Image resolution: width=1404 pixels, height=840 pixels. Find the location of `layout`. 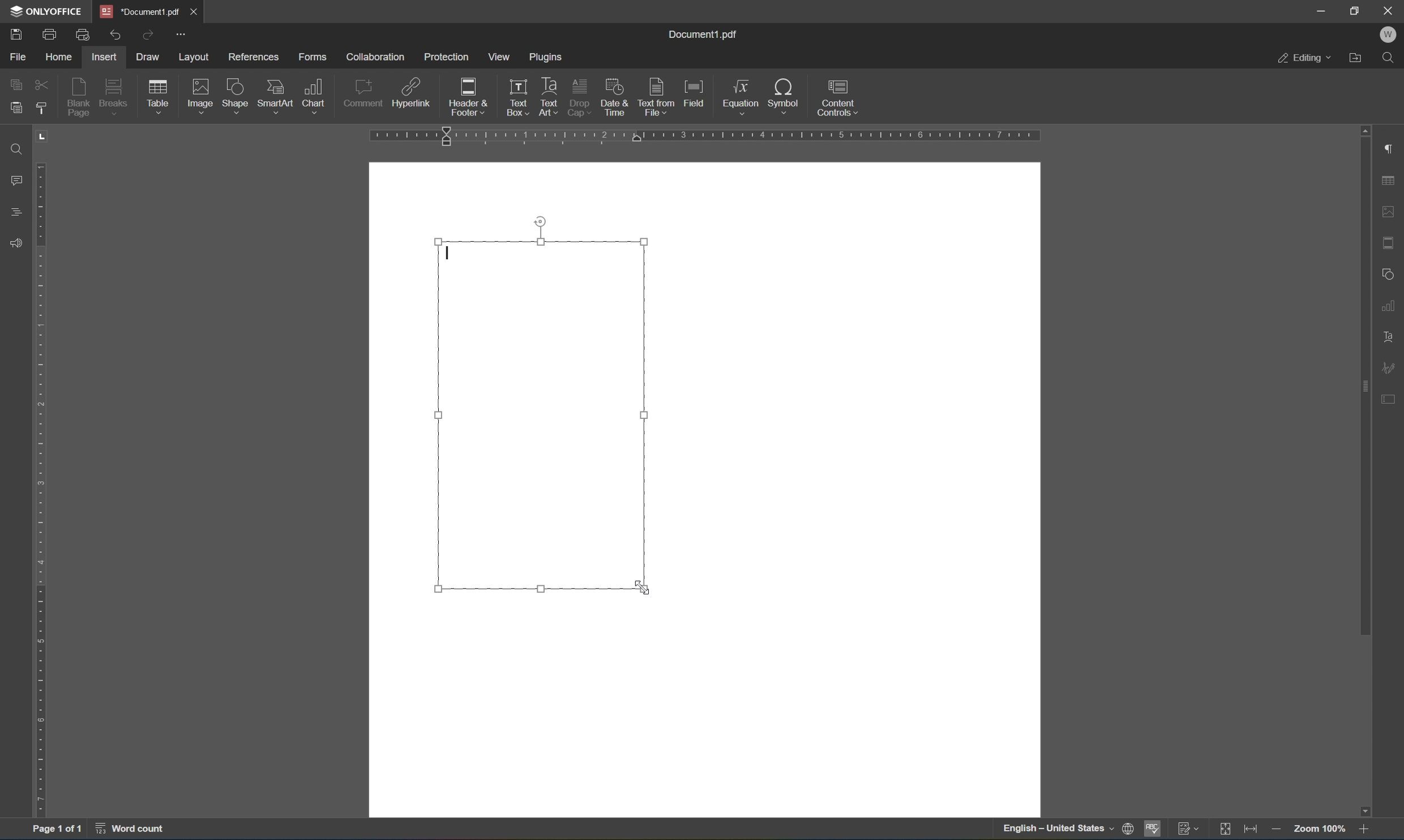

layout is located at coordinates (195, 58).